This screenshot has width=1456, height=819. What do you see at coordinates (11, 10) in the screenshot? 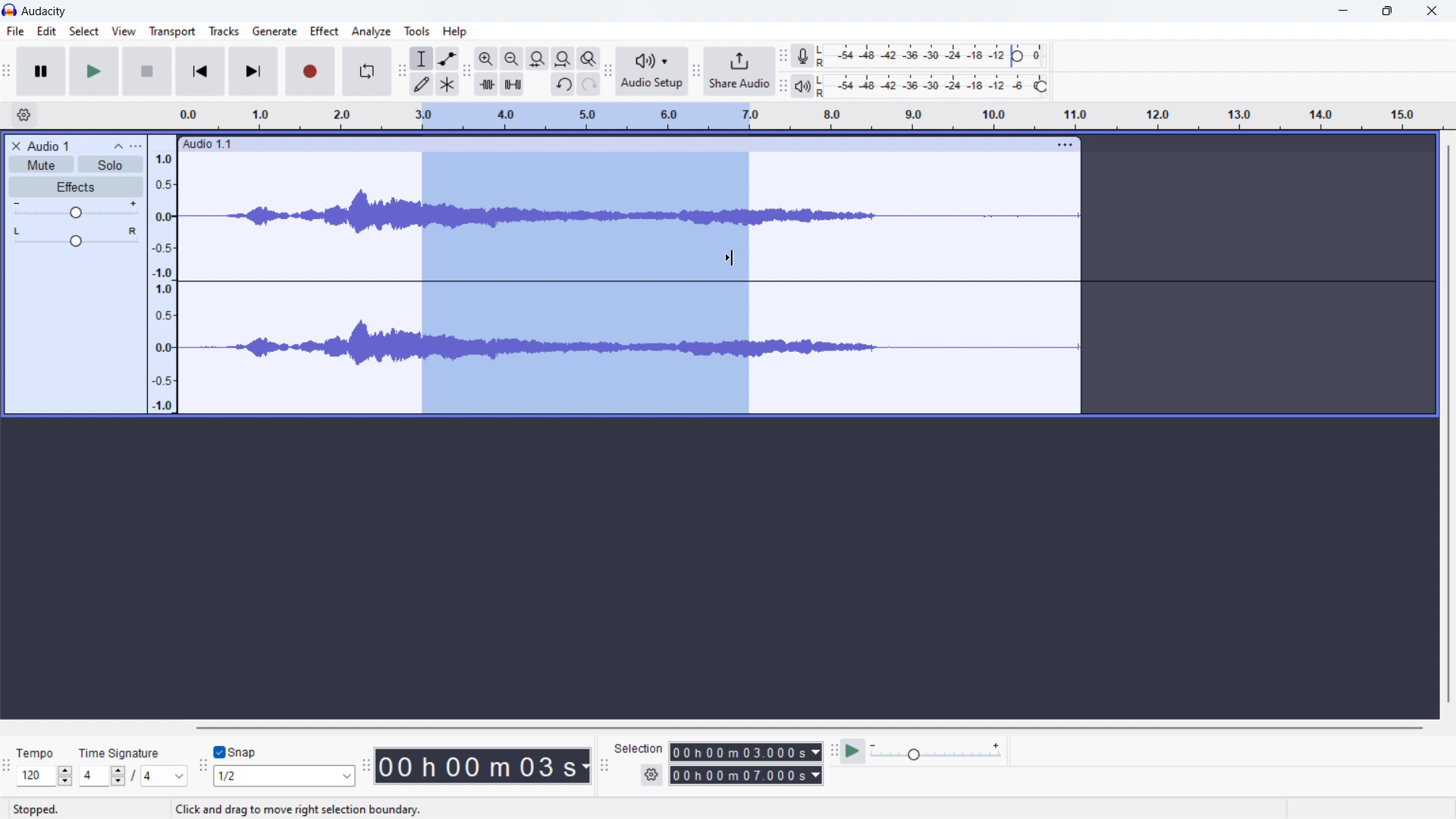
I see `logo` at bounding box center [11, 10].